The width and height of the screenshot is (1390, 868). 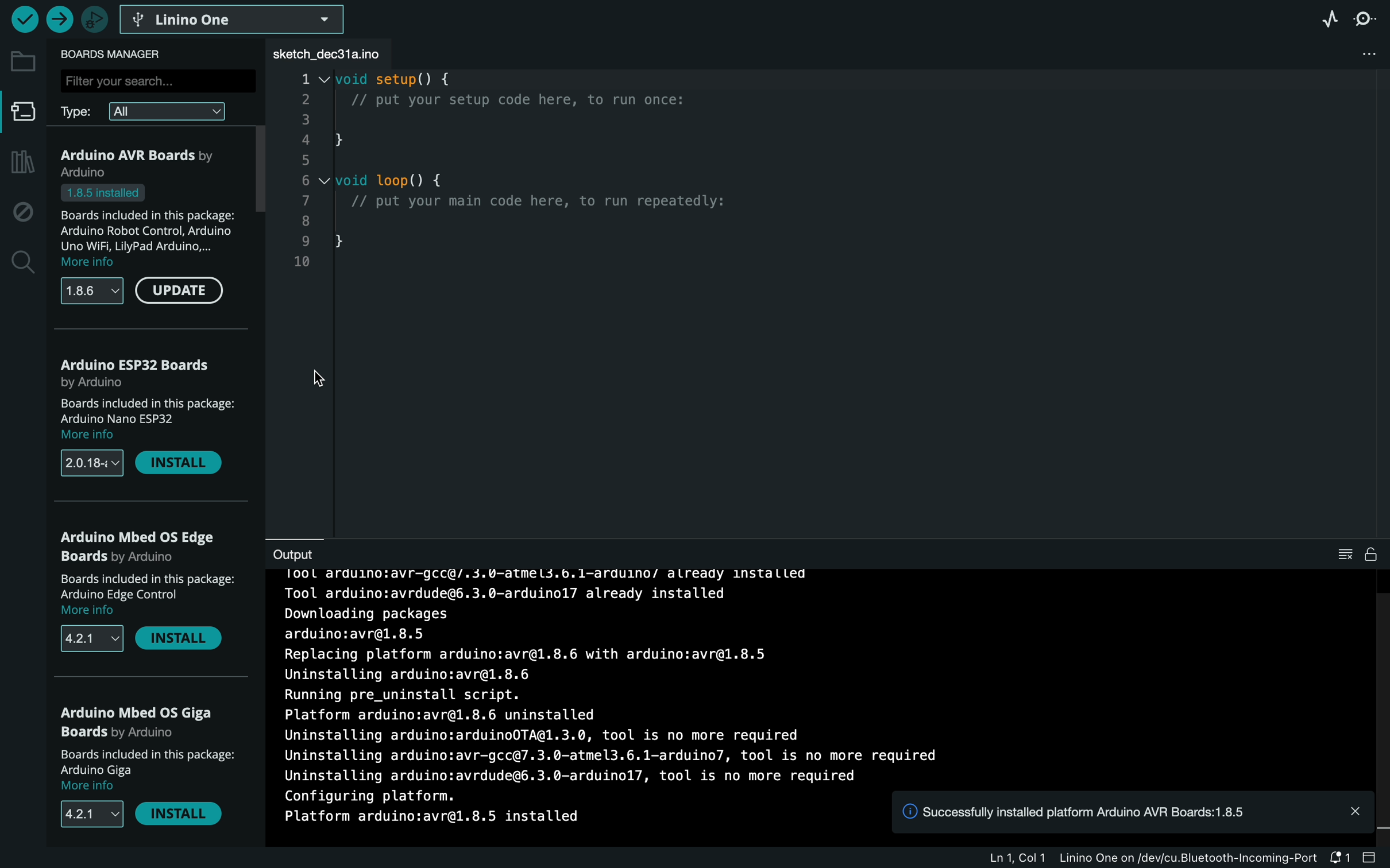 I want to click on select board, so click(x=234, y=18).